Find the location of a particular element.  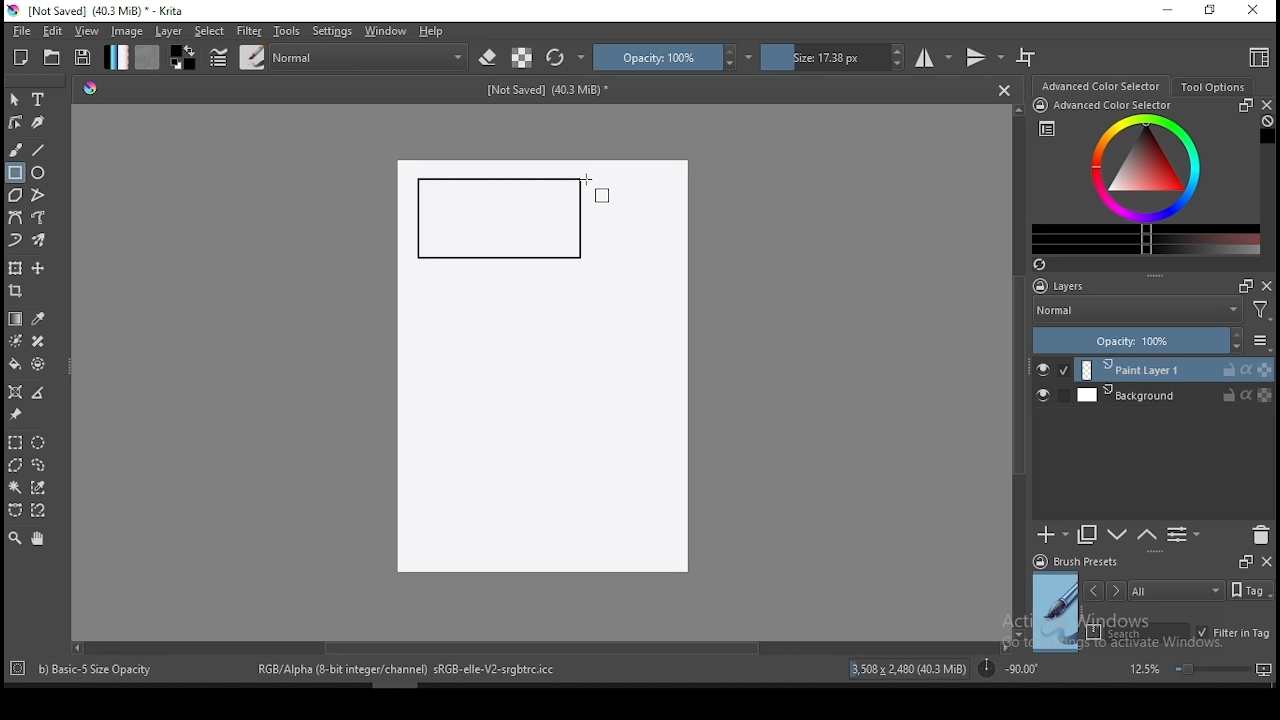

reference images tool is located at coordinates (14, 415).